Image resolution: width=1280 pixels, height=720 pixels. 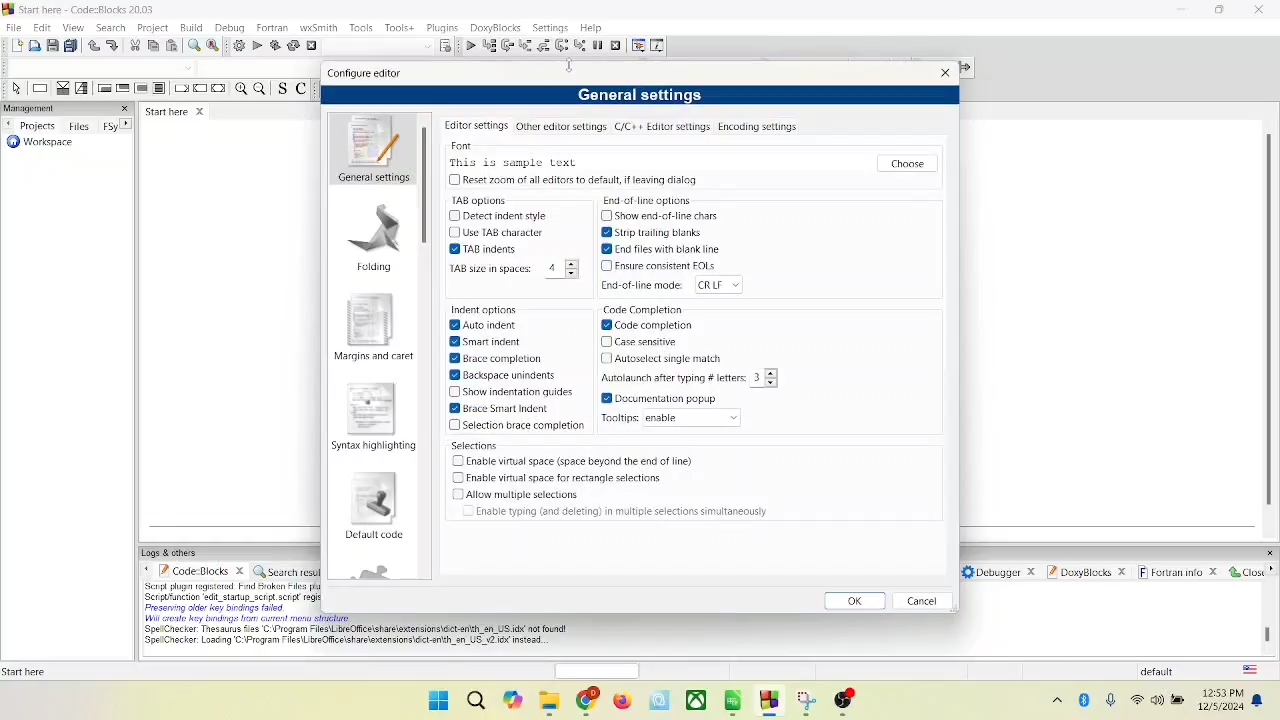 I want to click on text, so click(x=512, y=163).